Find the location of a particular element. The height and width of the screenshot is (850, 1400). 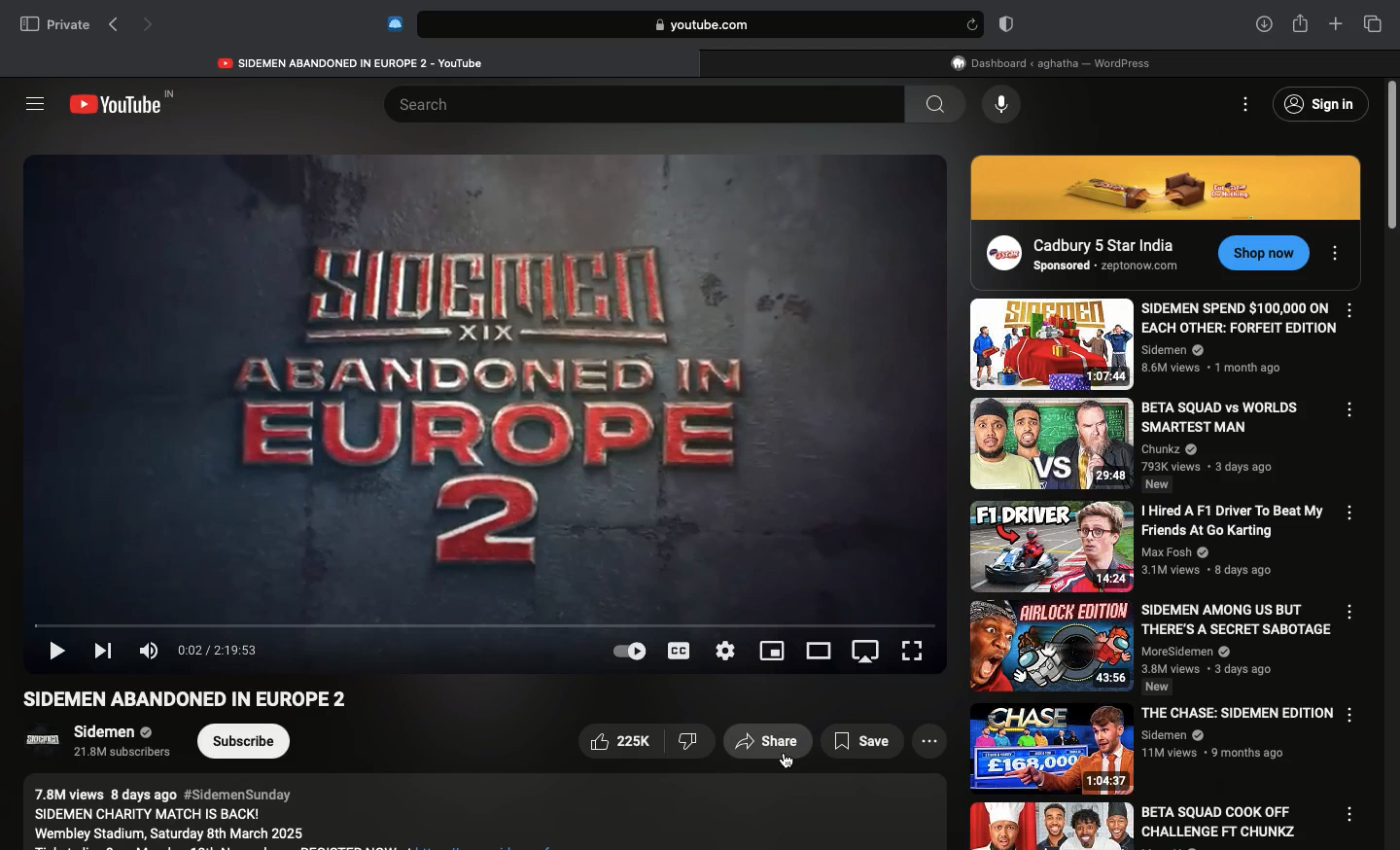

Search bar is located at coordinates (626, 103).